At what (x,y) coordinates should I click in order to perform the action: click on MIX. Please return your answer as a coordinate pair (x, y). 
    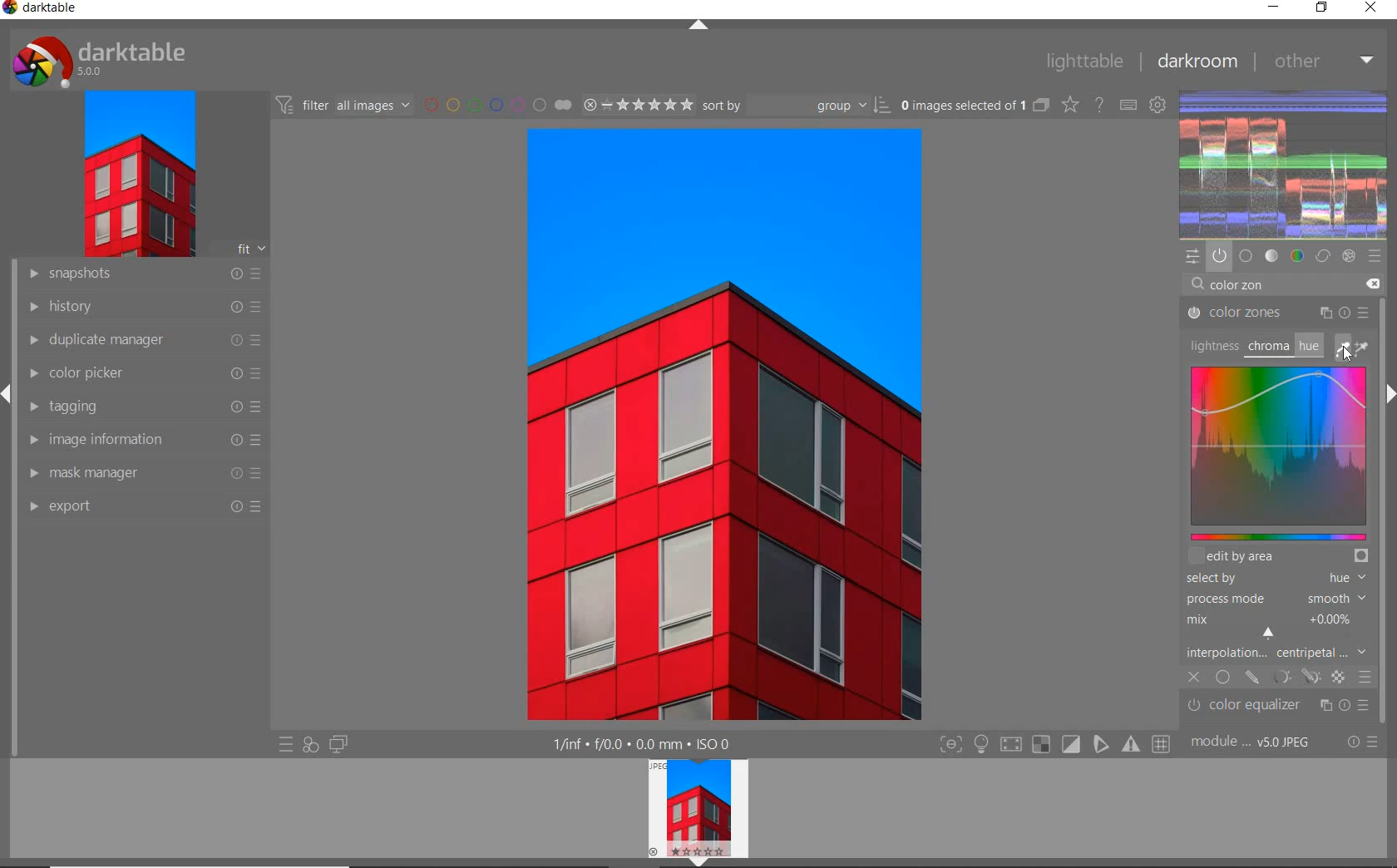
    Looking at the image, I should click on (1274, 623).